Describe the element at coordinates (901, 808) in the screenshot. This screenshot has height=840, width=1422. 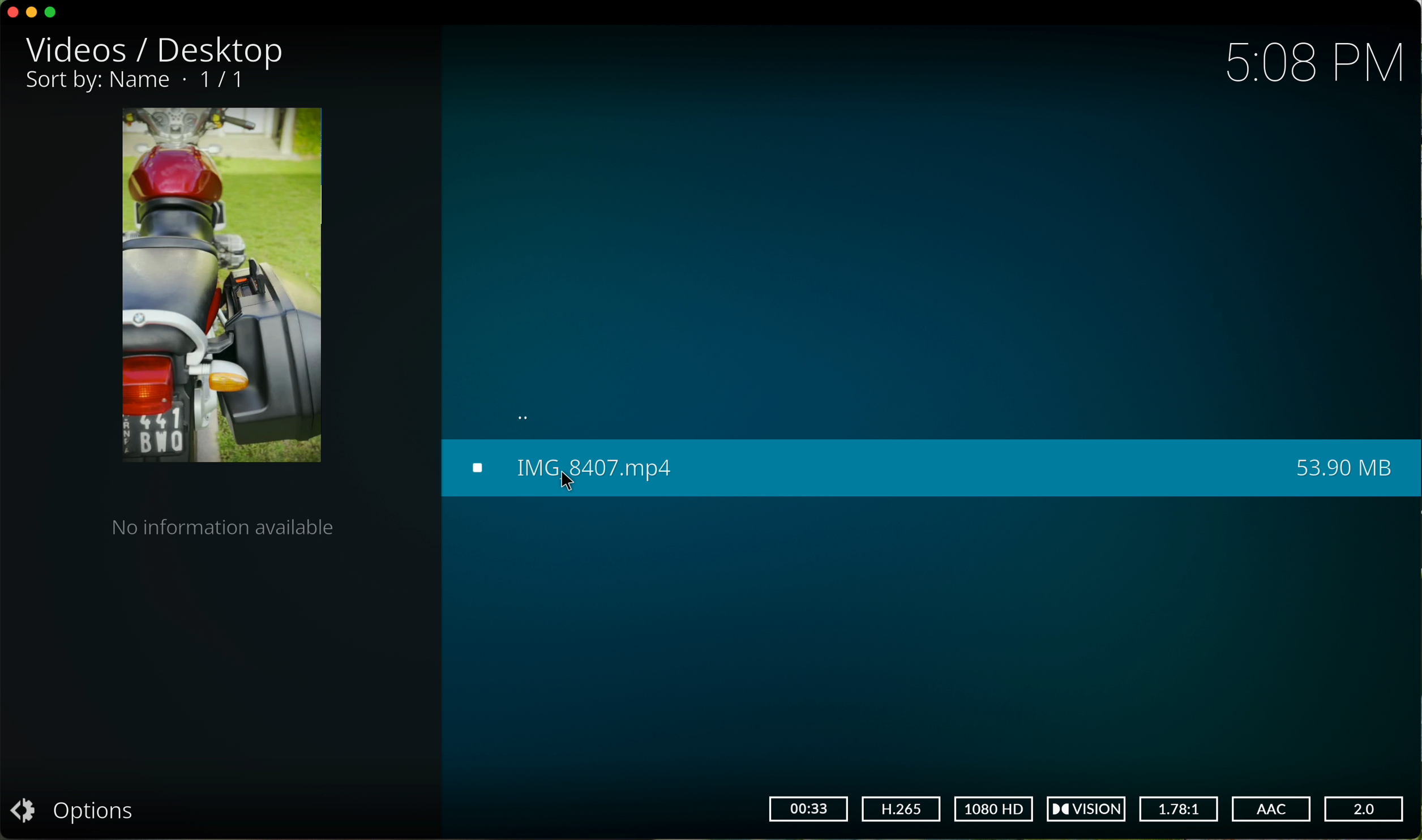
I see `H.265` at that location.